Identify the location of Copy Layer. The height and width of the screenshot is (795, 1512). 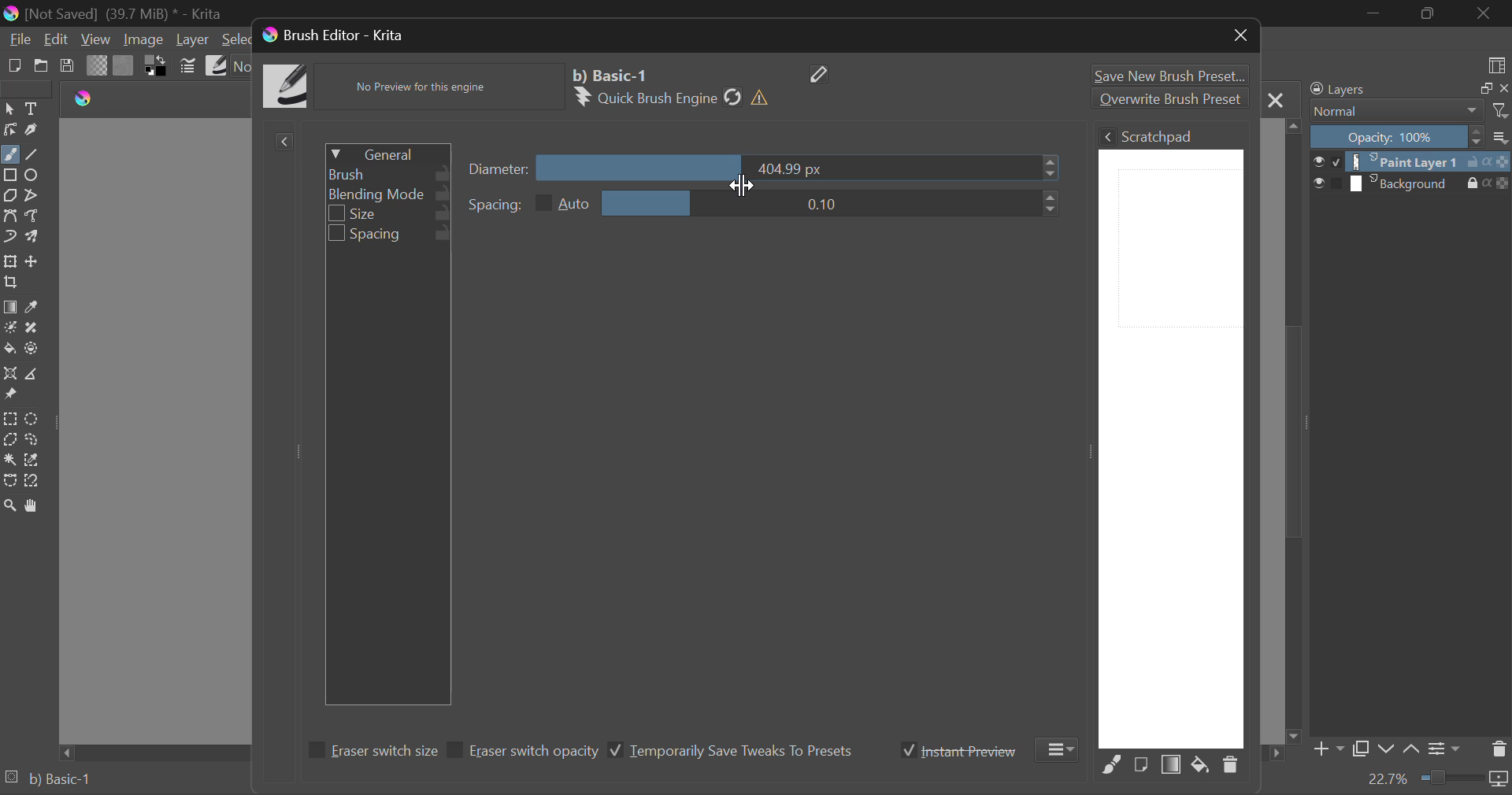
(1362, 749).